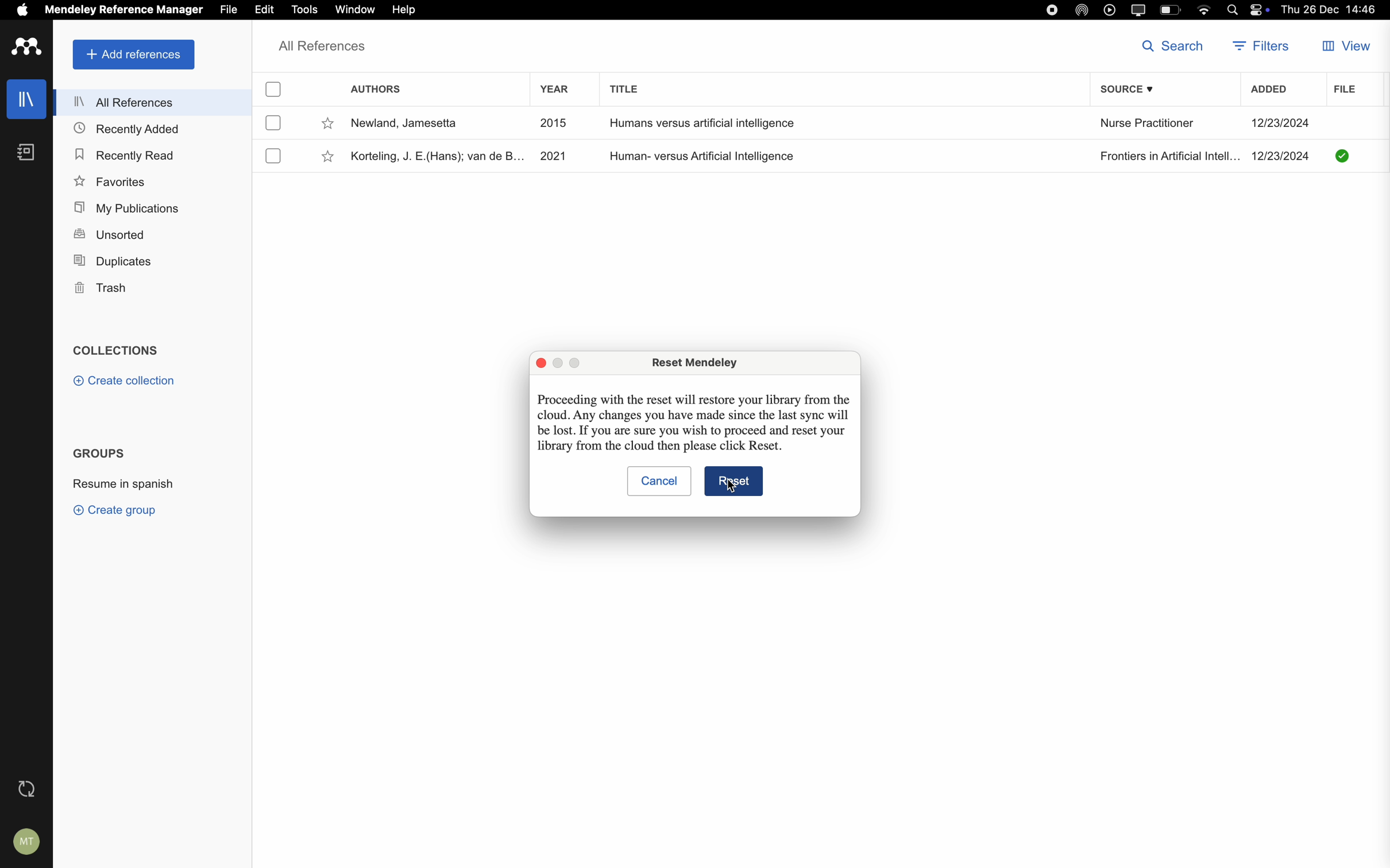  Describe the element at coordinates (557, 88) in the screenshot. I see `year` at that location.